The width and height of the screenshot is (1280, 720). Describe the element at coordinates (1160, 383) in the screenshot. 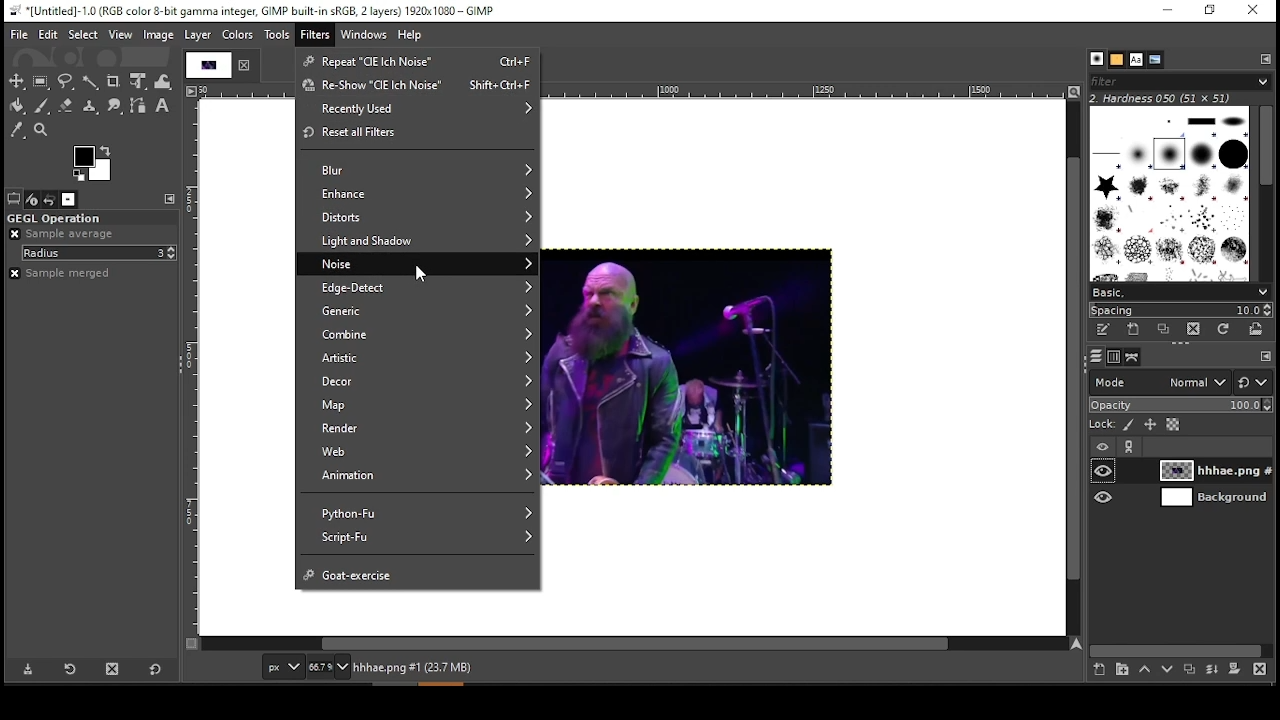

I see `mode` at that location.